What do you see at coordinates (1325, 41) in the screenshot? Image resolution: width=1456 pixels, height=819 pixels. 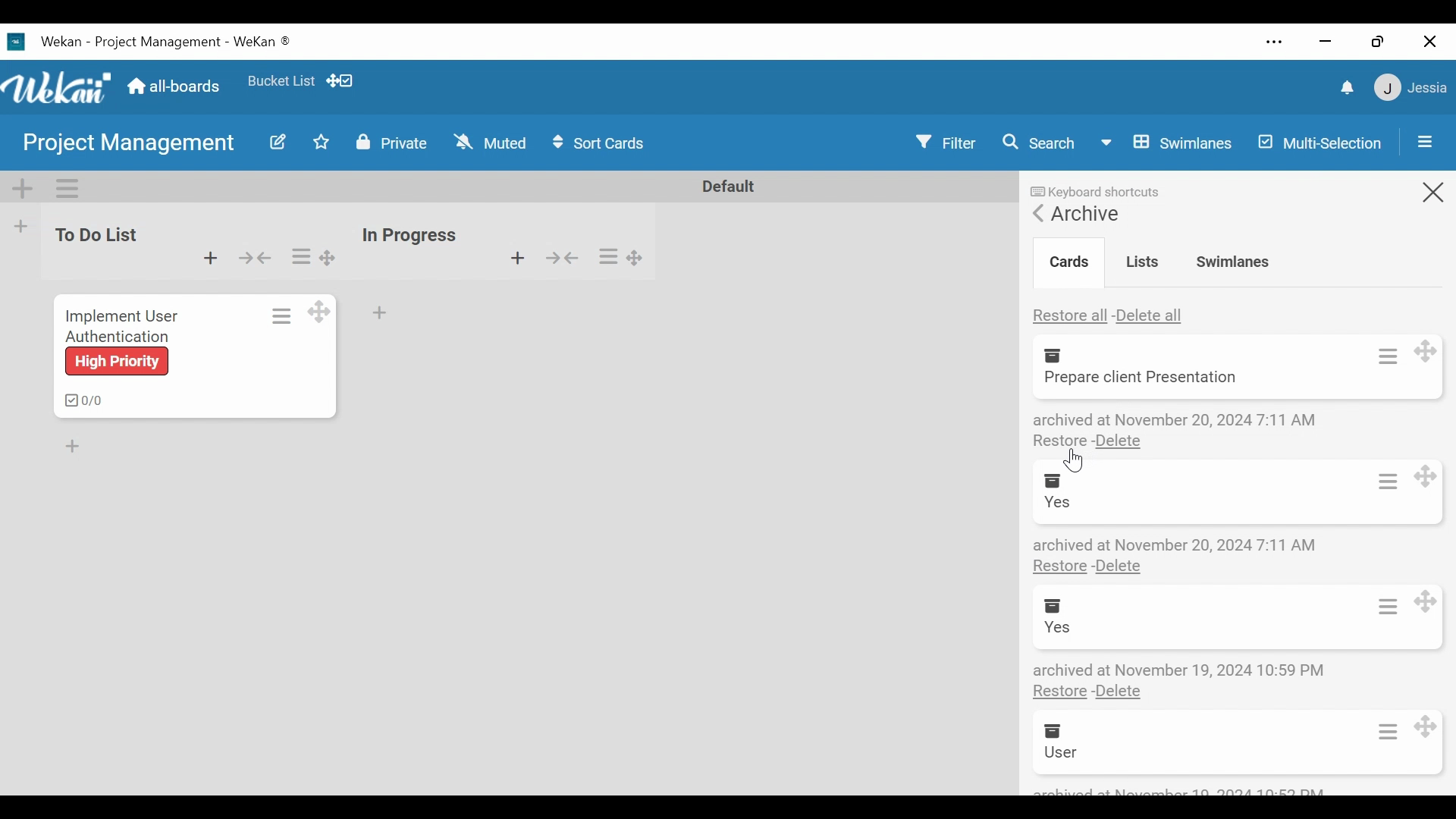 I see `minimize` at bounding box center [1325, 41].